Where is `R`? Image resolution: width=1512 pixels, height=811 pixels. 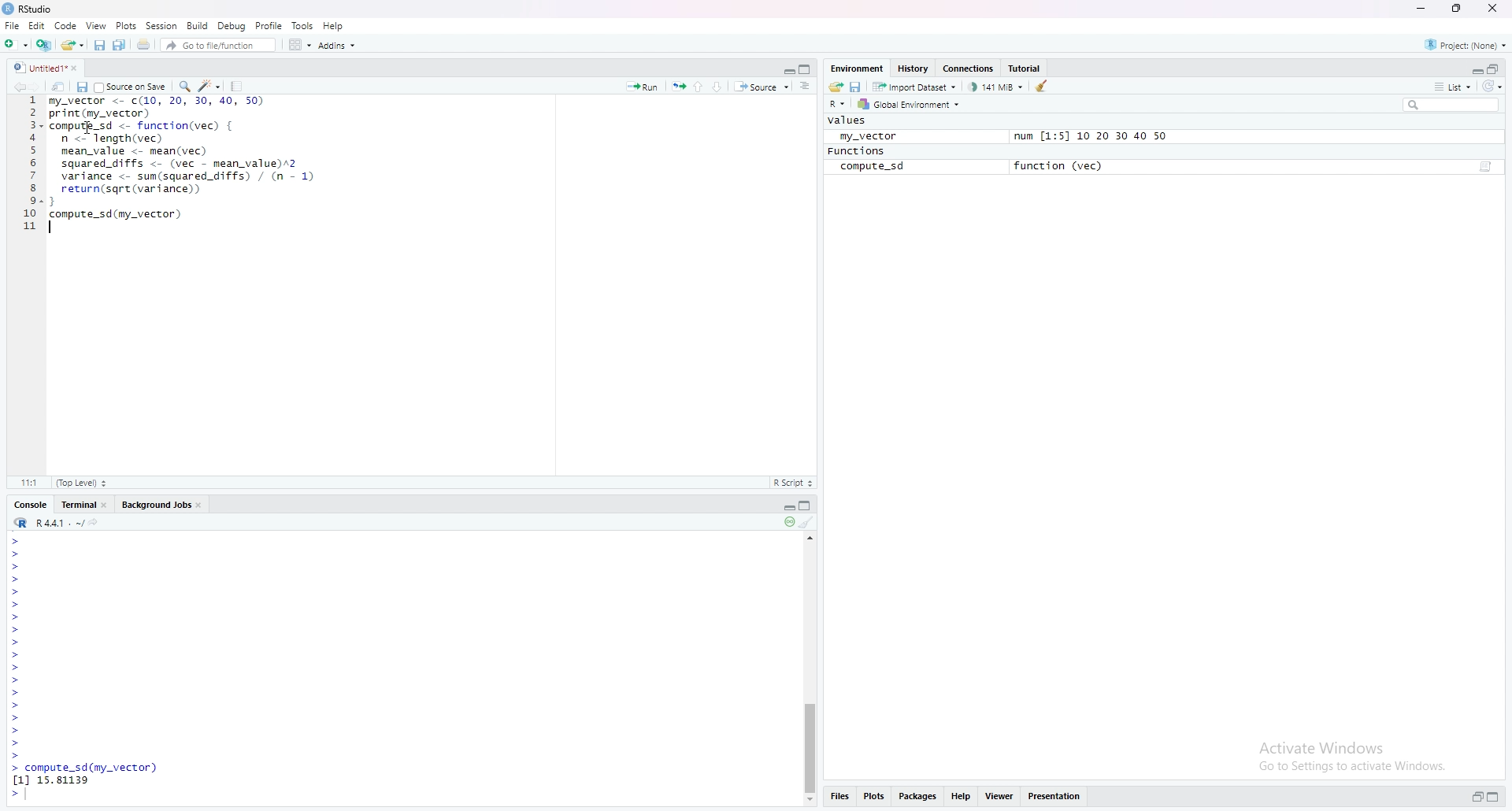
R is located at coordinates (838, 105).